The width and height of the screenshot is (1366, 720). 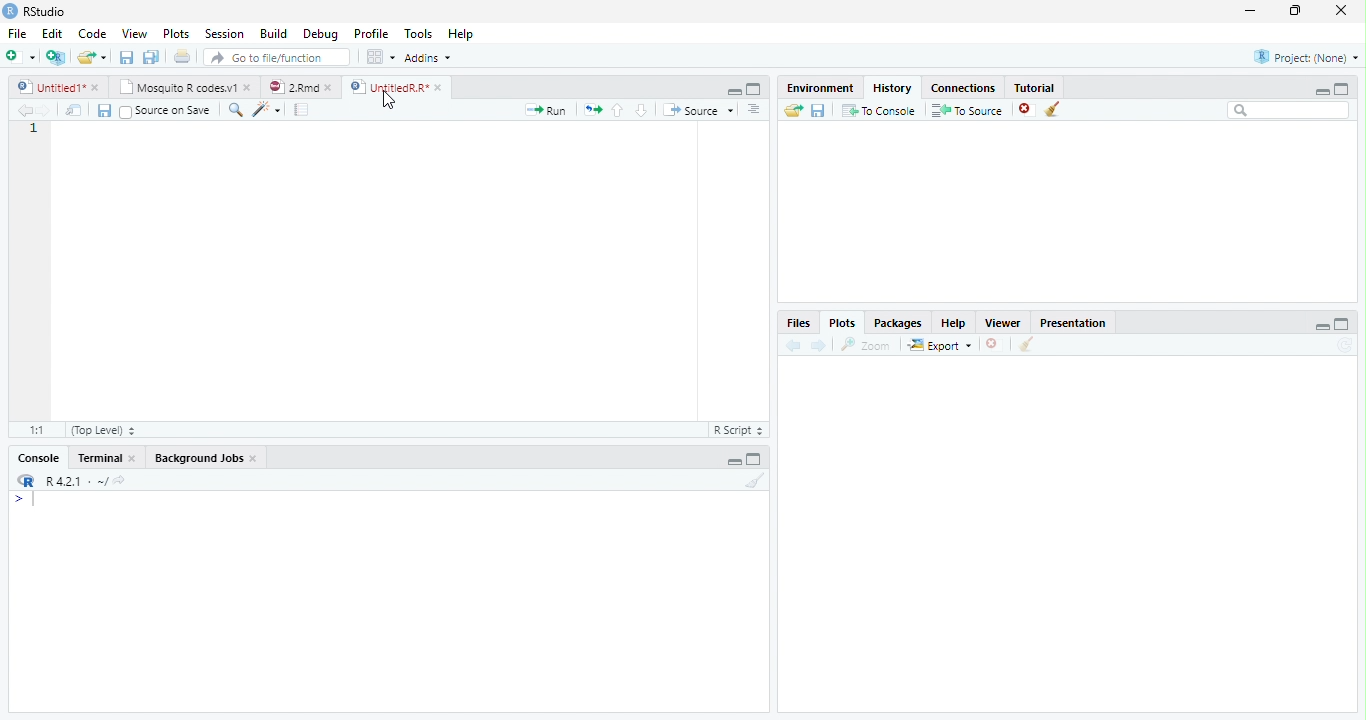 I want to click on Code, so click(x=95, y=35).